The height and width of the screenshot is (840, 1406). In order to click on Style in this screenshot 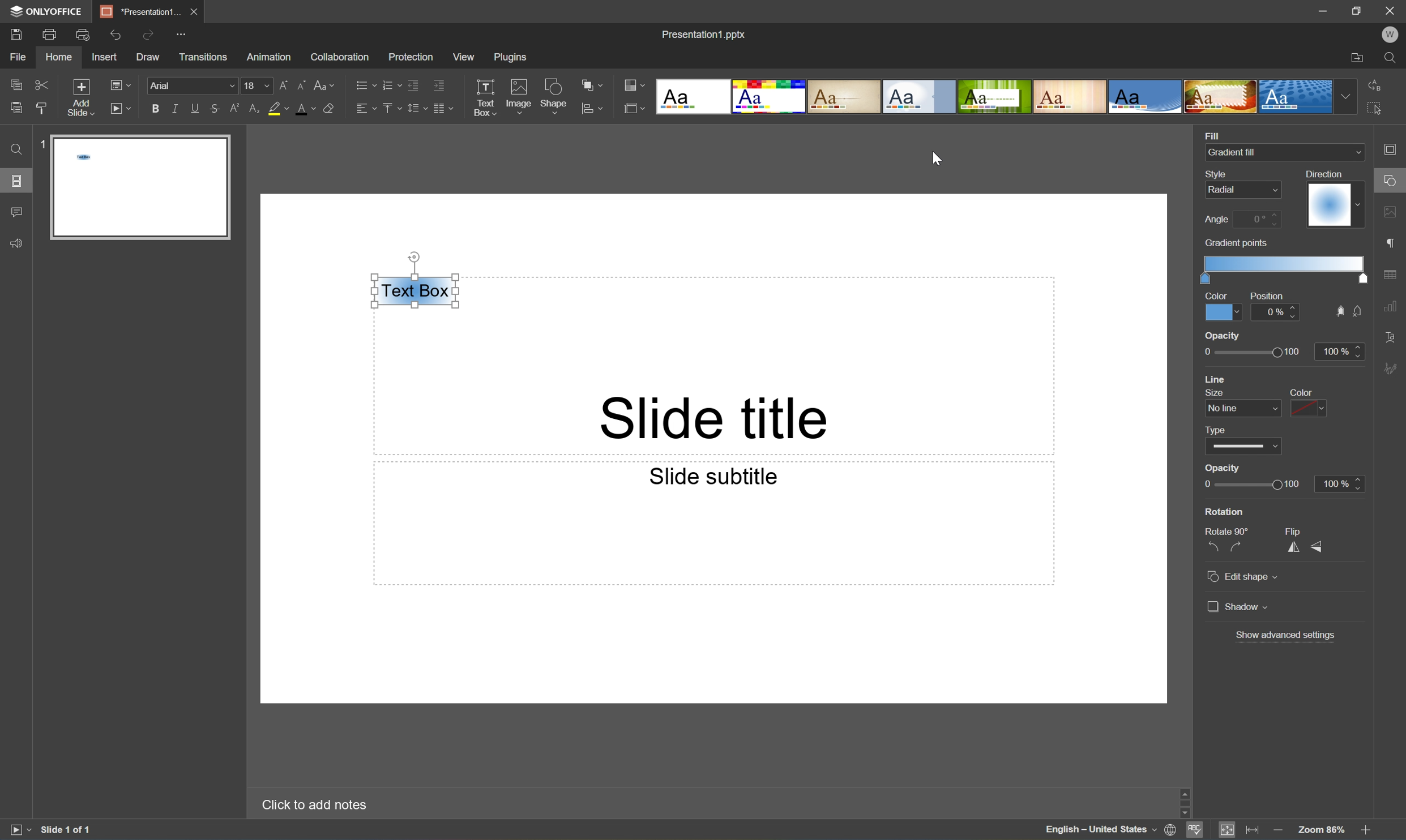, I will do `click(1213, 173)`.